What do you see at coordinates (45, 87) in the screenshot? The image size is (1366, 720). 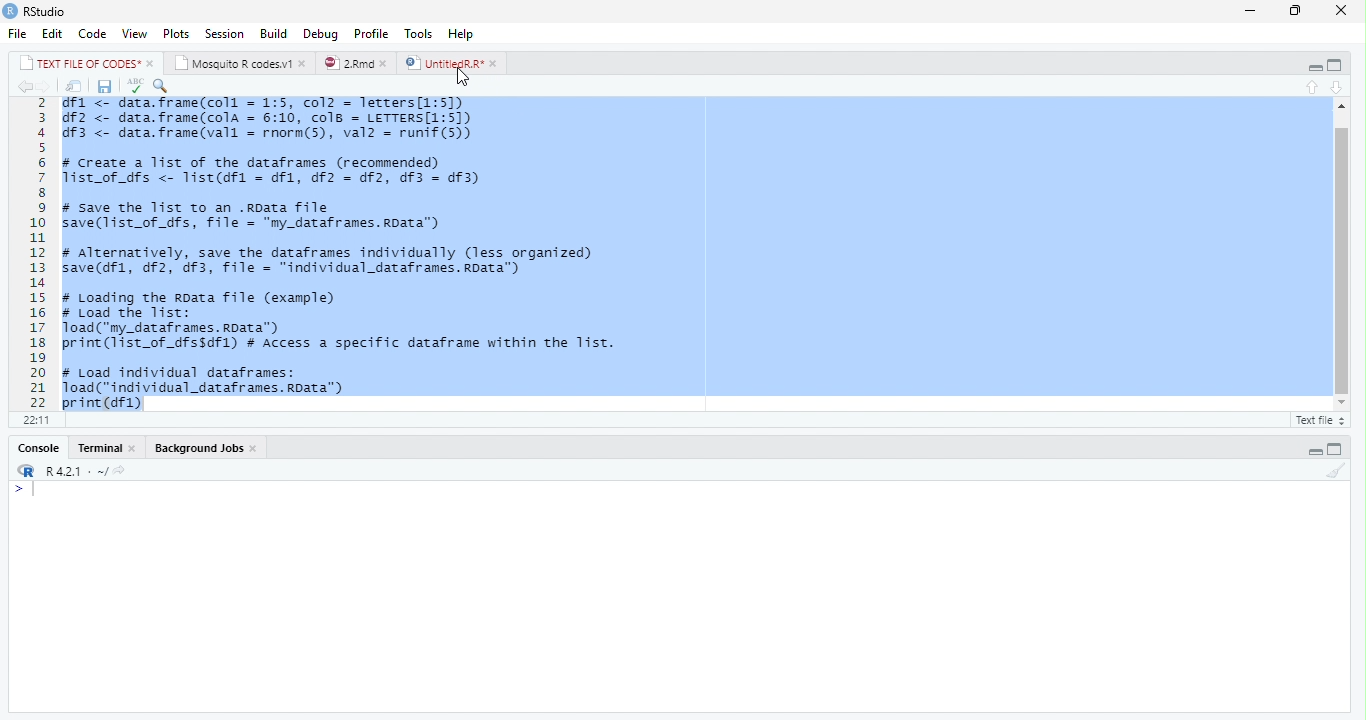 I see `Go to next location` at bounding box center [45, 87].